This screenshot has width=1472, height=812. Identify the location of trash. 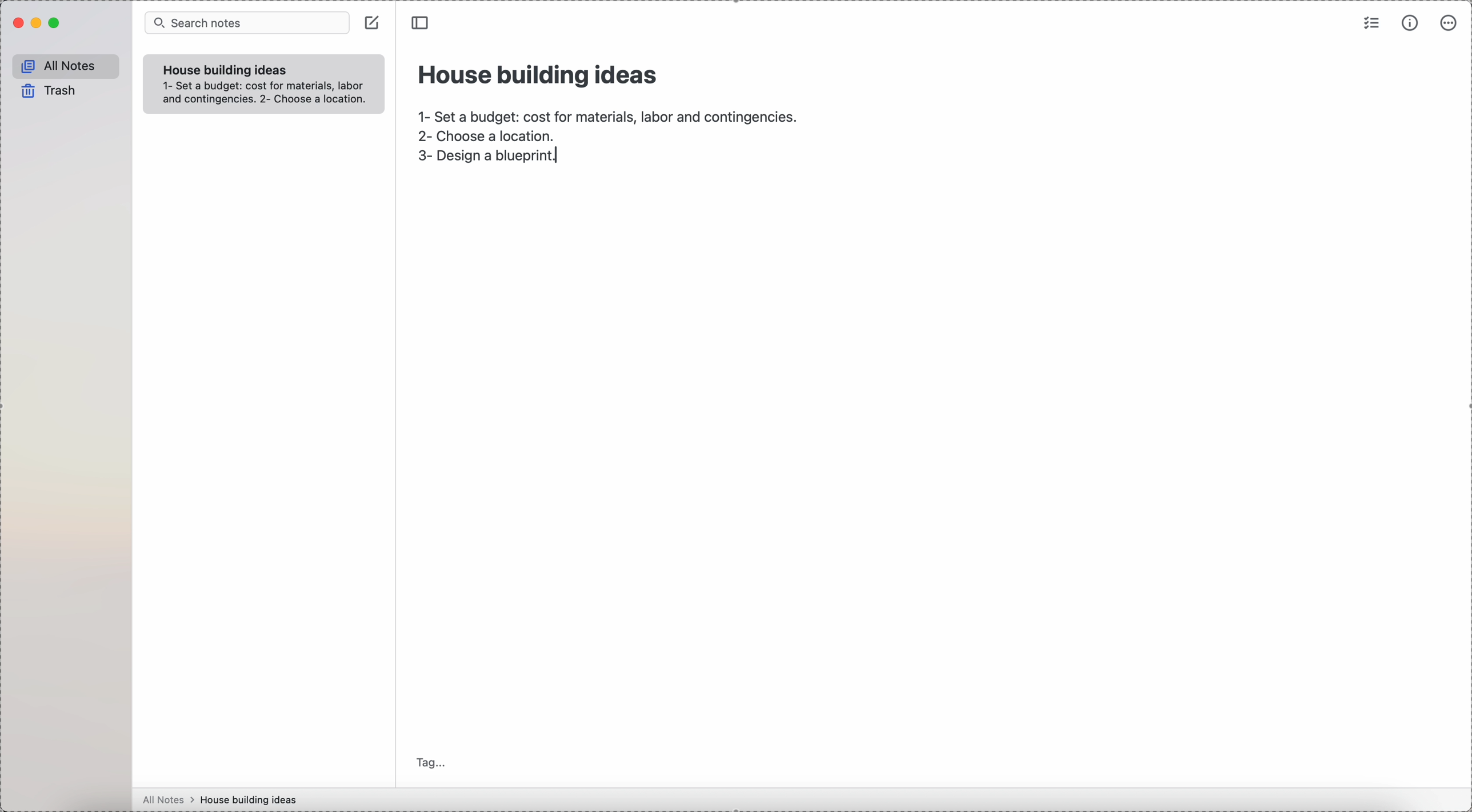
(47, 91).